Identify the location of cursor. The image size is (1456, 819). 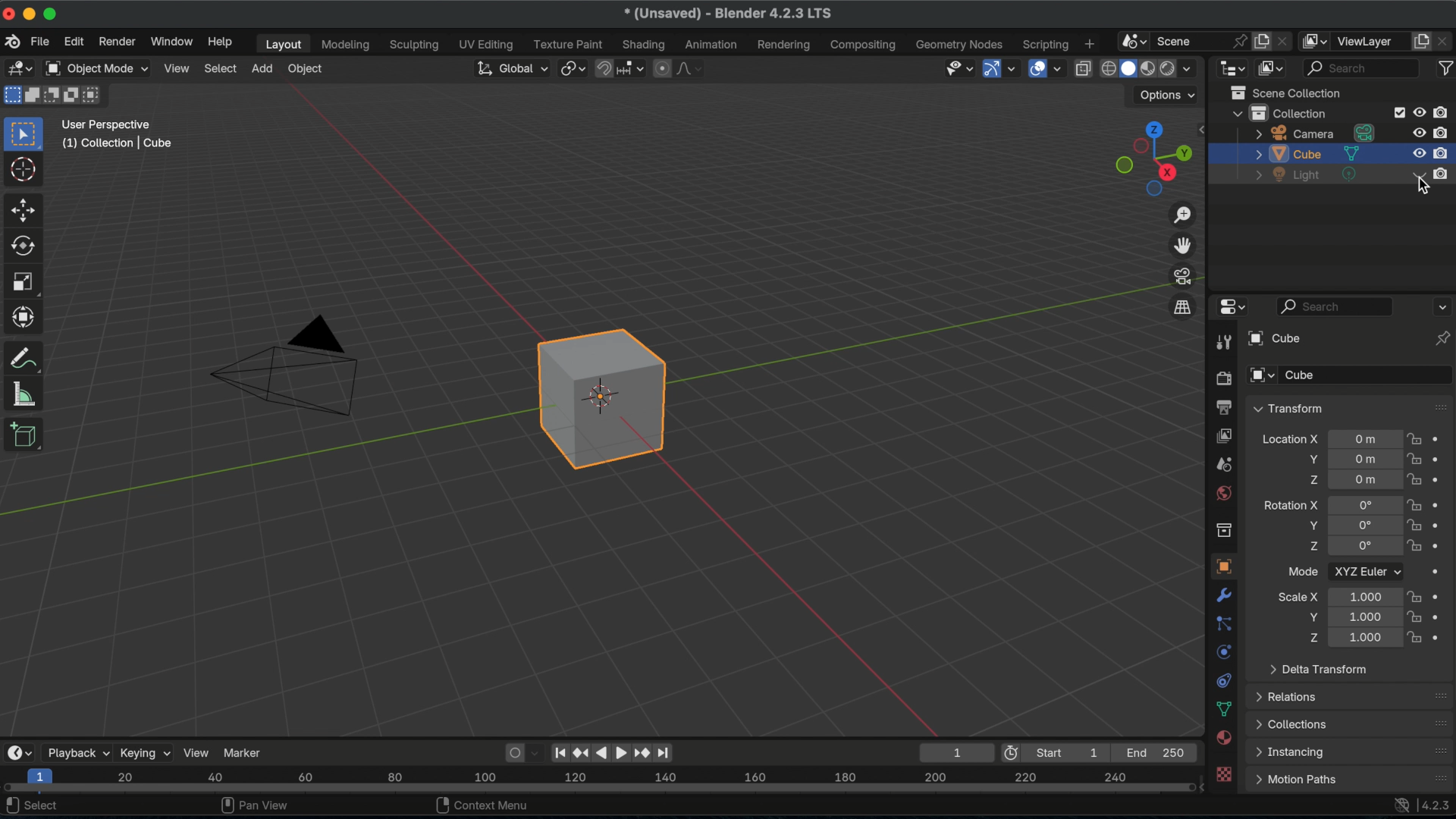
(22, 169).